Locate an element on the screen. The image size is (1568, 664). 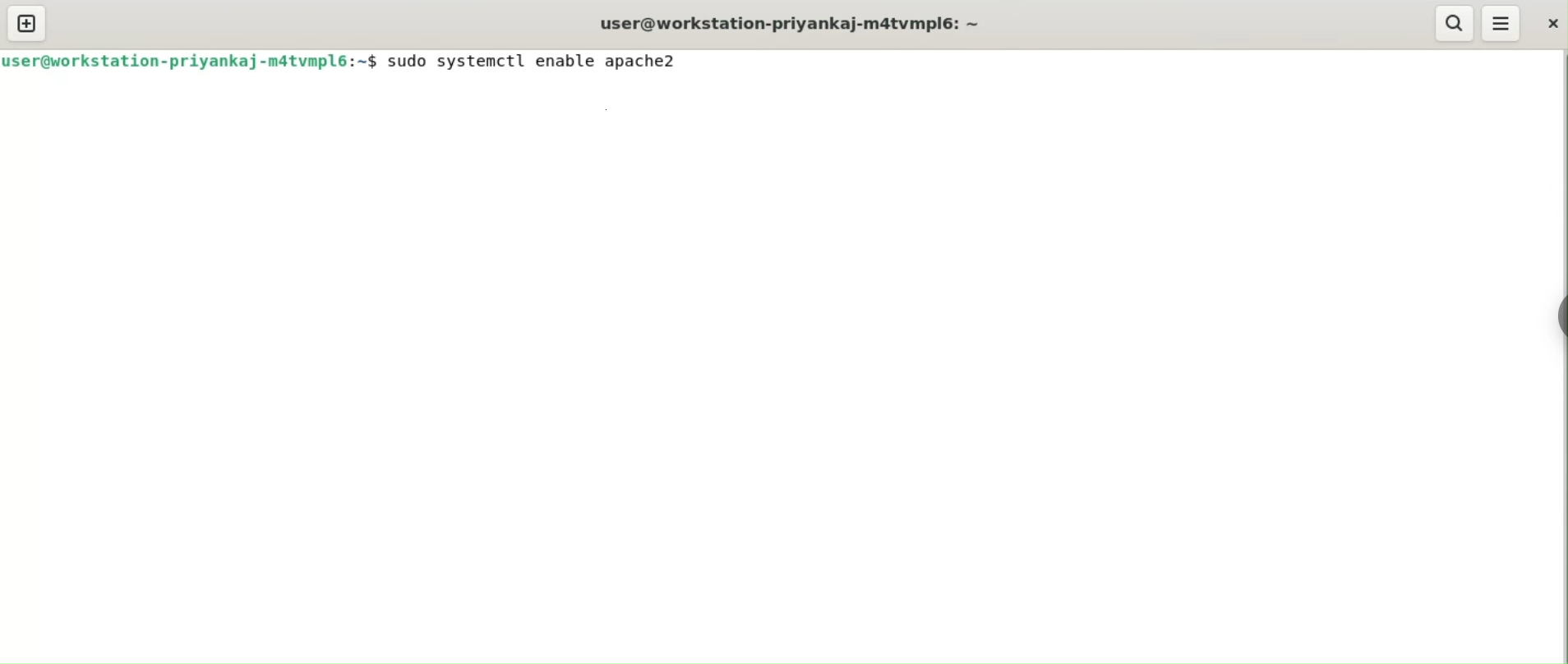
More Options is located at coordinates (1501, 21).